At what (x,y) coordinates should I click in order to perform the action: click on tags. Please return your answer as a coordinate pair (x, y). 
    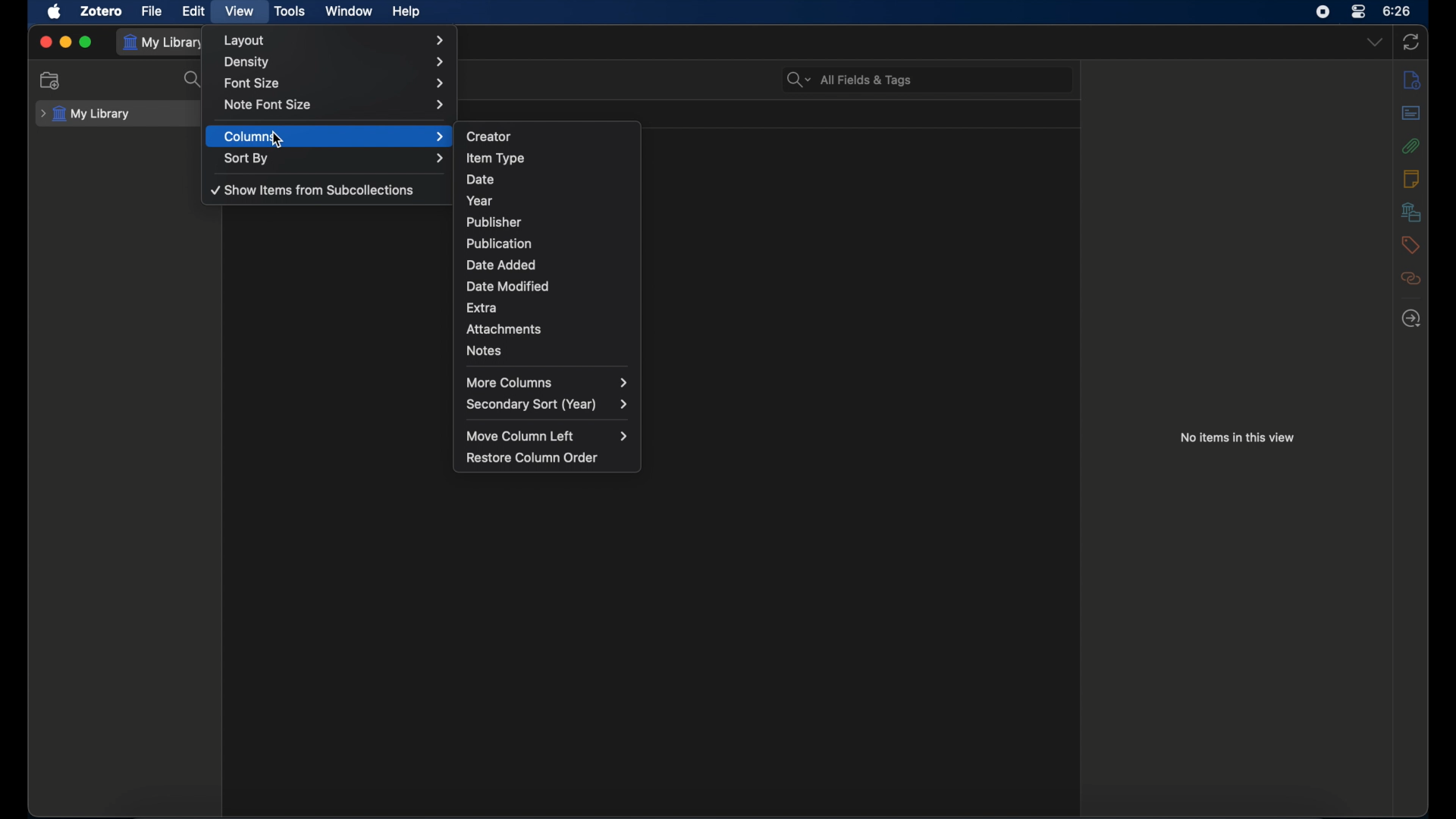
    Looking at the image, I should click on (1410, 245).